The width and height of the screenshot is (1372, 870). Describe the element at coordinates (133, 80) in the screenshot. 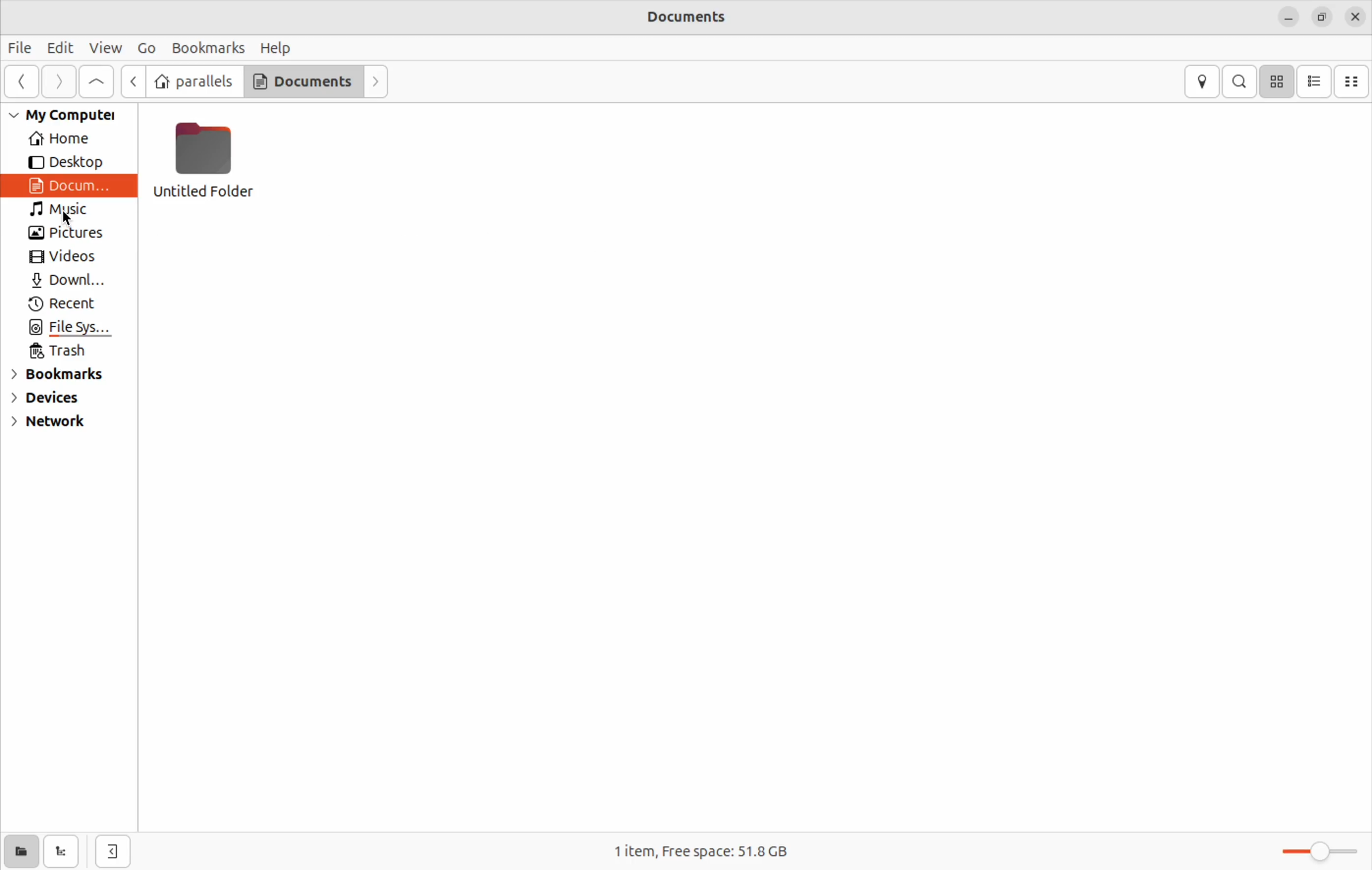

I see `back` at that location.